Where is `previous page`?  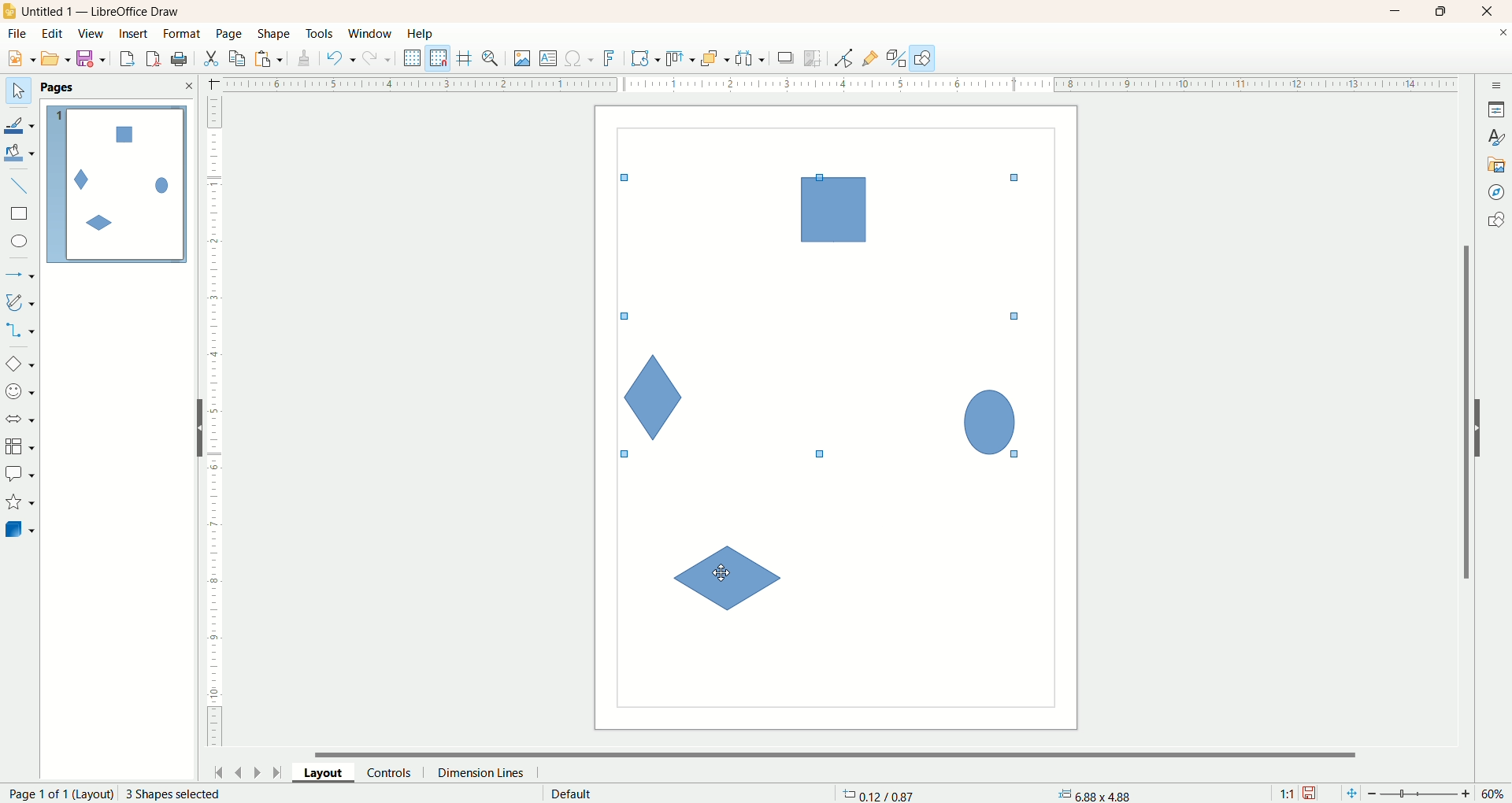 previous page is located at coordinates (237, 771).